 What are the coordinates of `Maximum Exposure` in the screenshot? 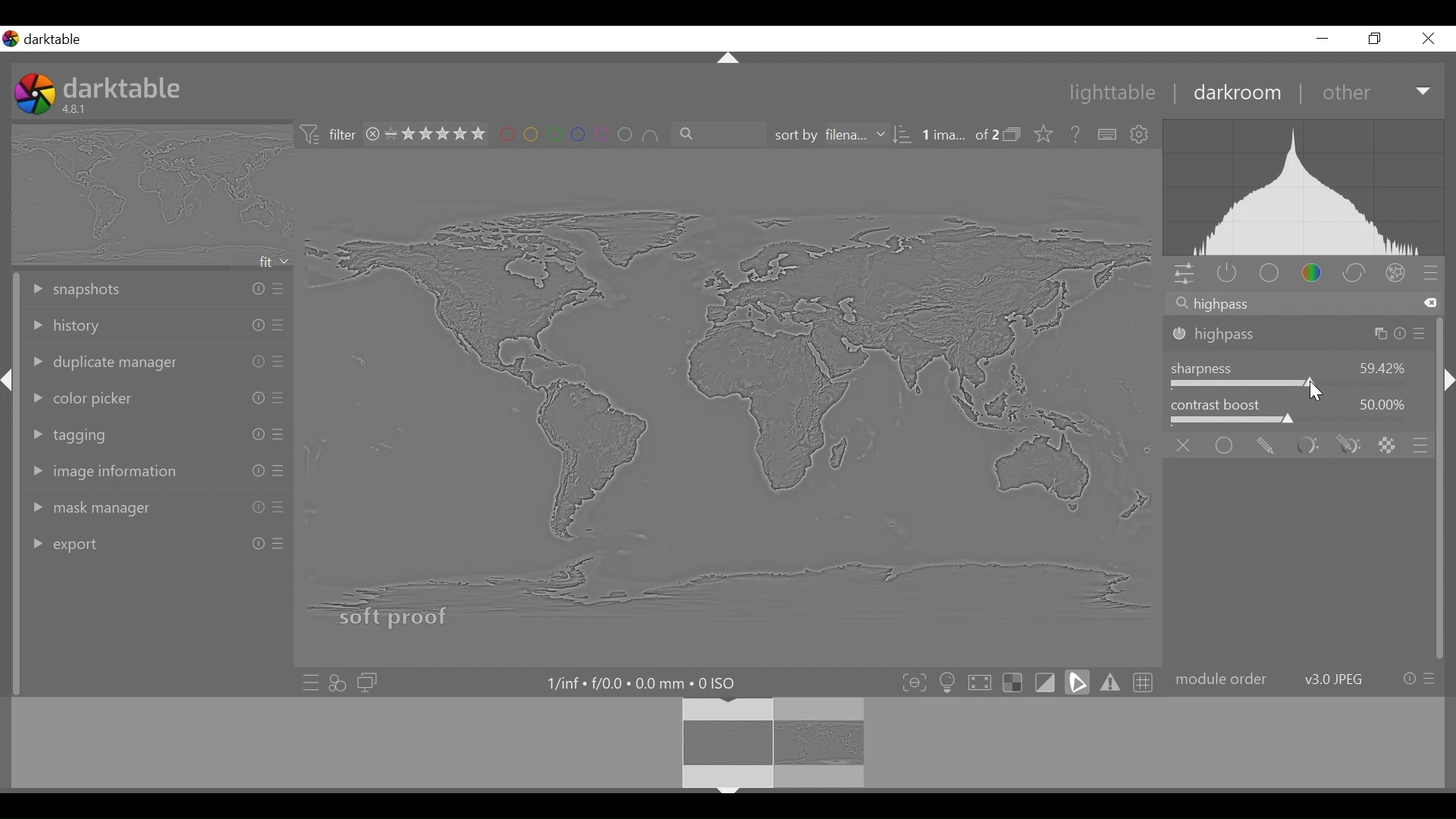 It's located at (639, 682).